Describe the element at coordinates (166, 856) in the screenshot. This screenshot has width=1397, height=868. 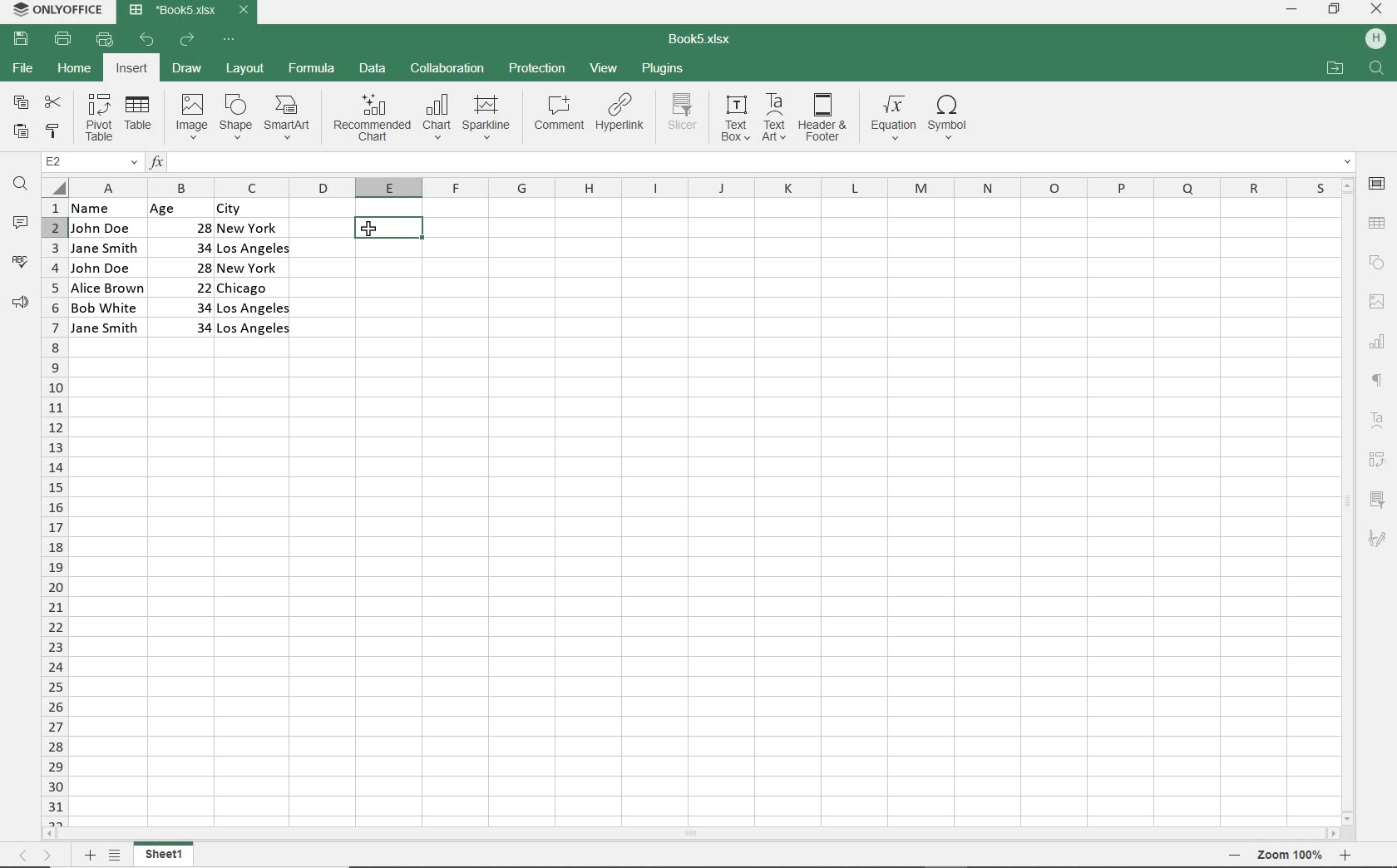
I see `SHEET NAME` at that location.